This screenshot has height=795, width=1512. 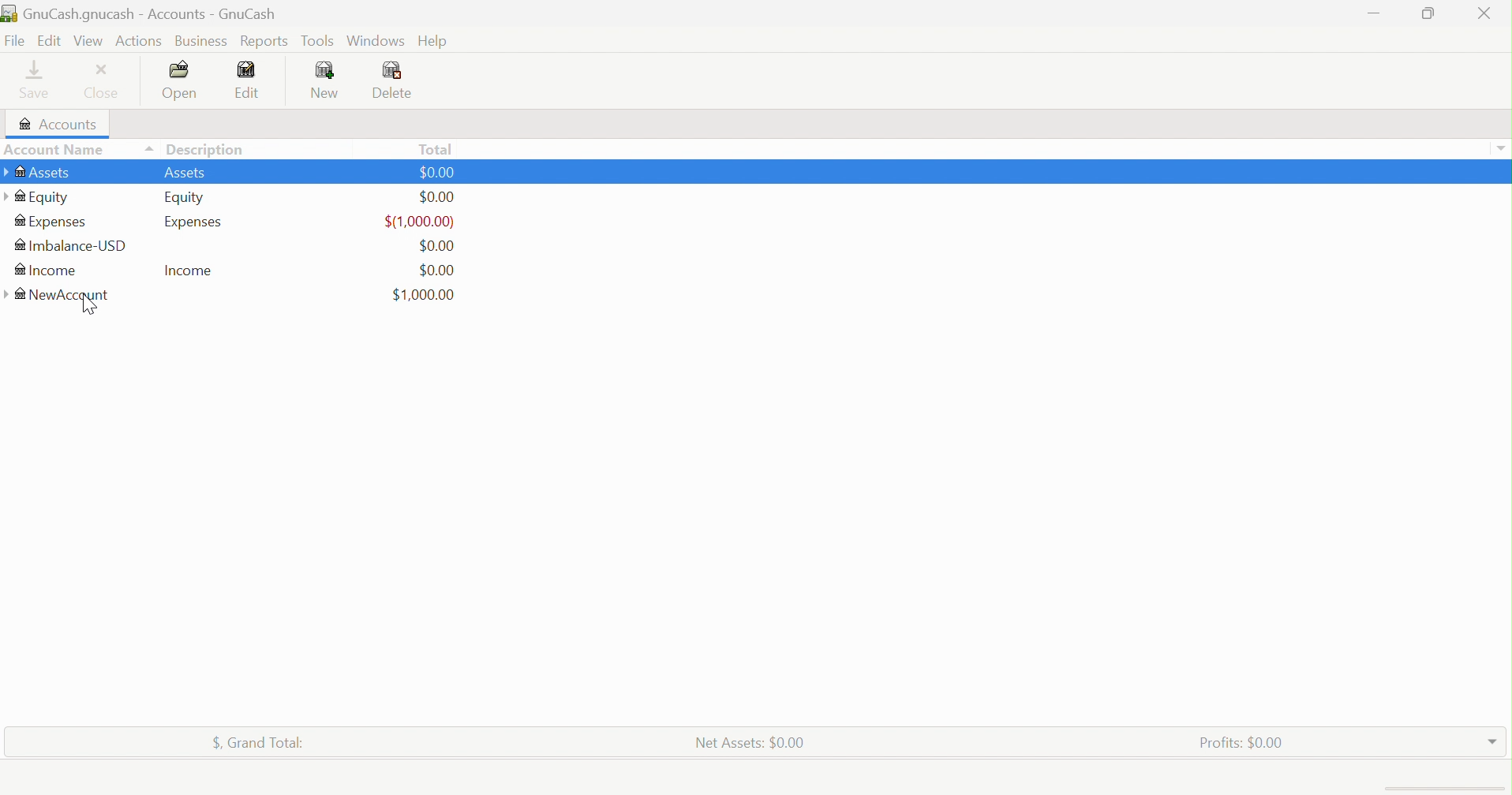 What do you see at coordinates (253, 80) in the screenshot?
I see `Edit` at bounding box center [253, 80].